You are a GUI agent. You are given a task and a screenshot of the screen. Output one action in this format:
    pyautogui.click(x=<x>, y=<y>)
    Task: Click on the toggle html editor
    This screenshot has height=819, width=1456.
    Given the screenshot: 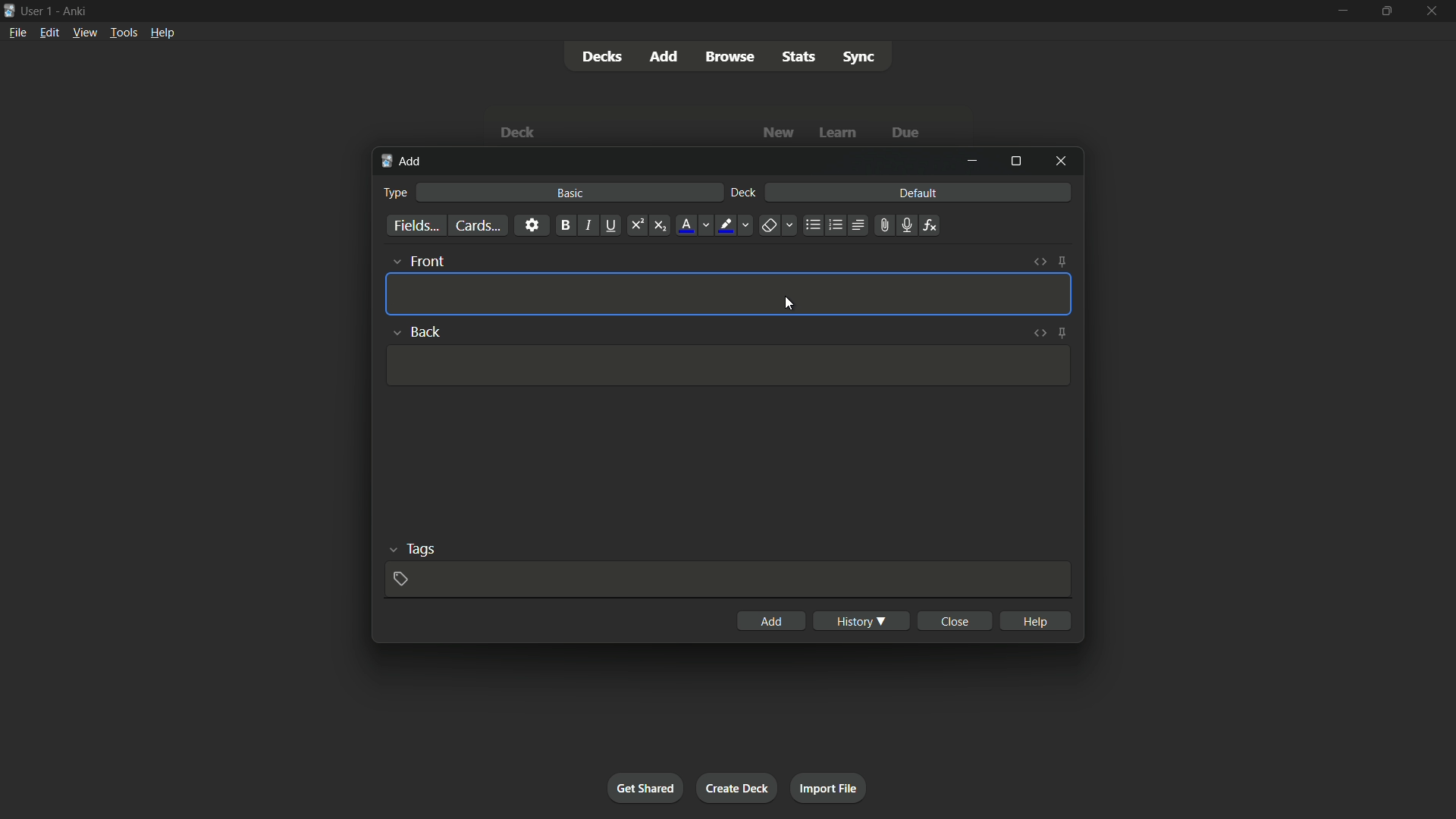 What is the action you would take?
    pyautogui.click(x=1040, y=262)
    